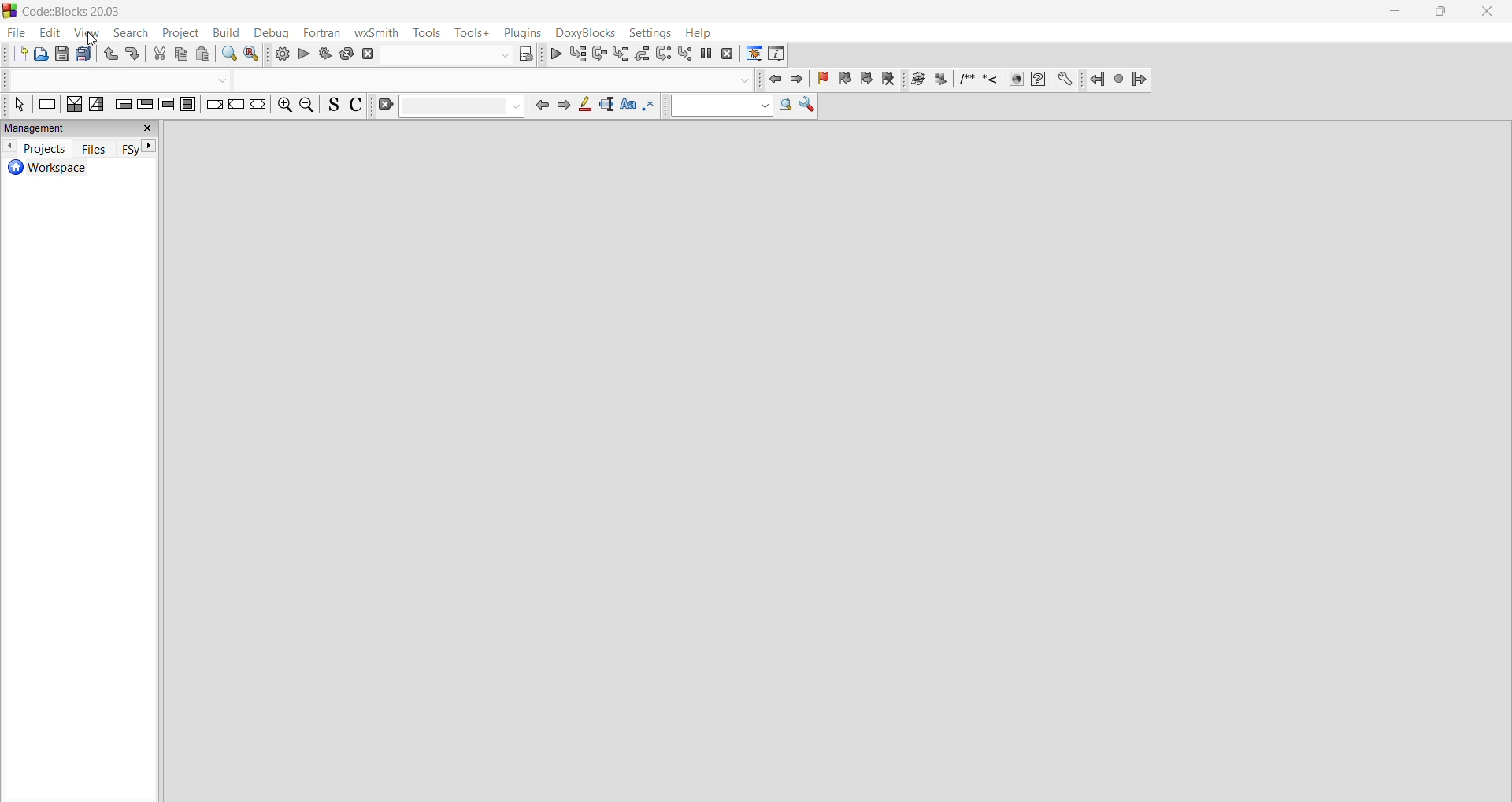  I want to click on save, so click(61, 56).